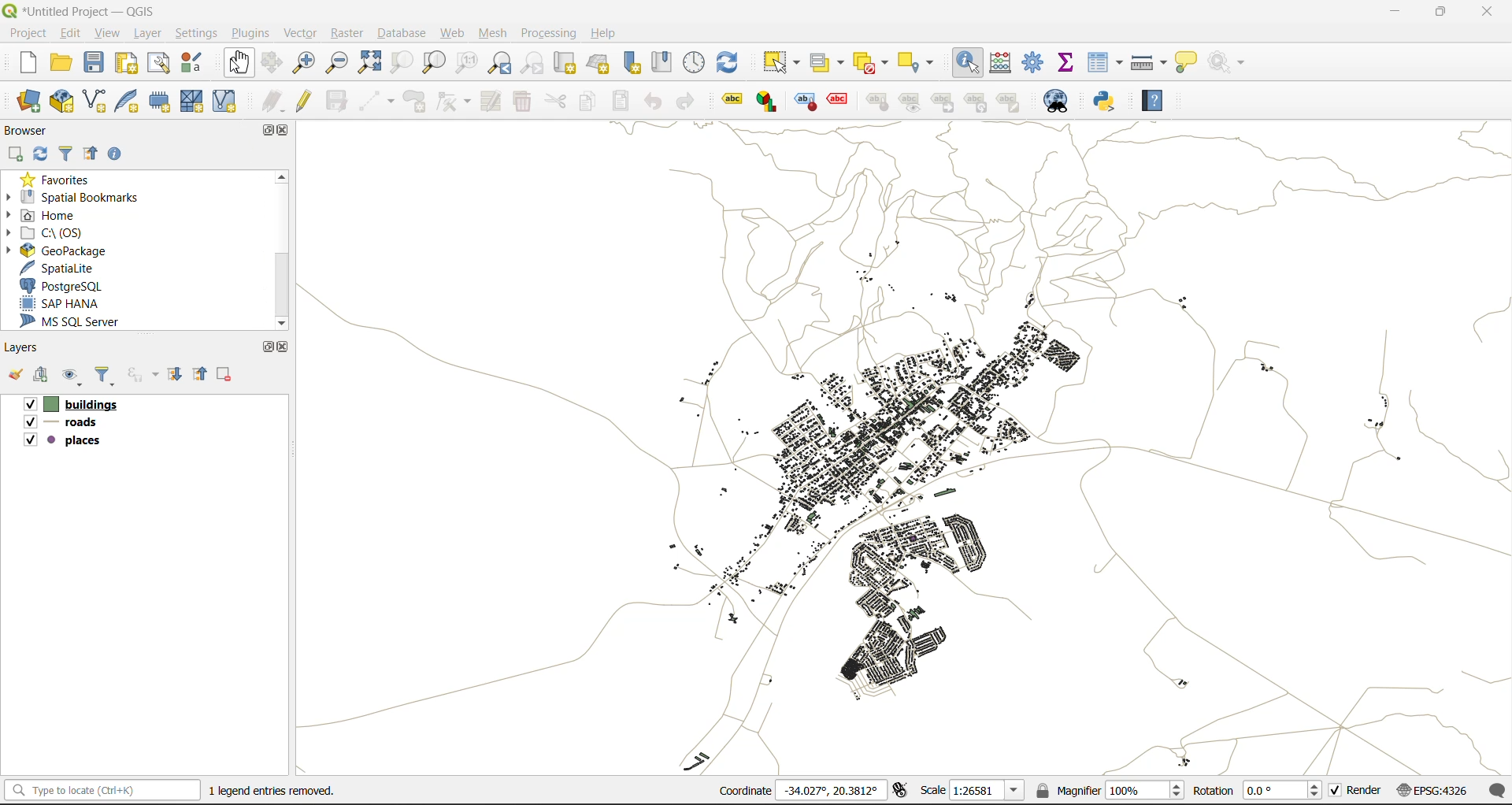  I want to click on c\:os, so click(56, 233).